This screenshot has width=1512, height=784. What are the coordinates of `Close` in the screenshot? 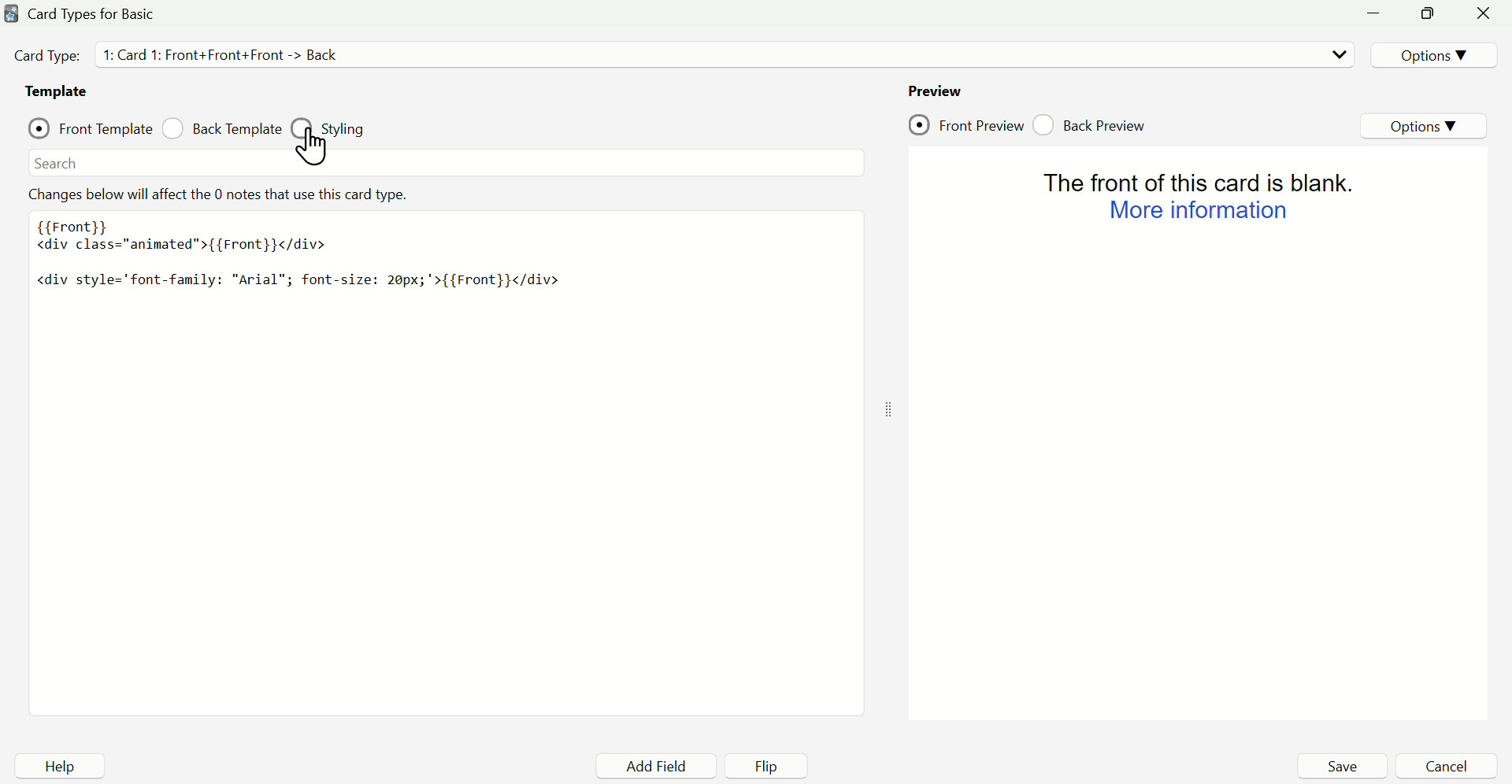 It's located at (1484, 17).